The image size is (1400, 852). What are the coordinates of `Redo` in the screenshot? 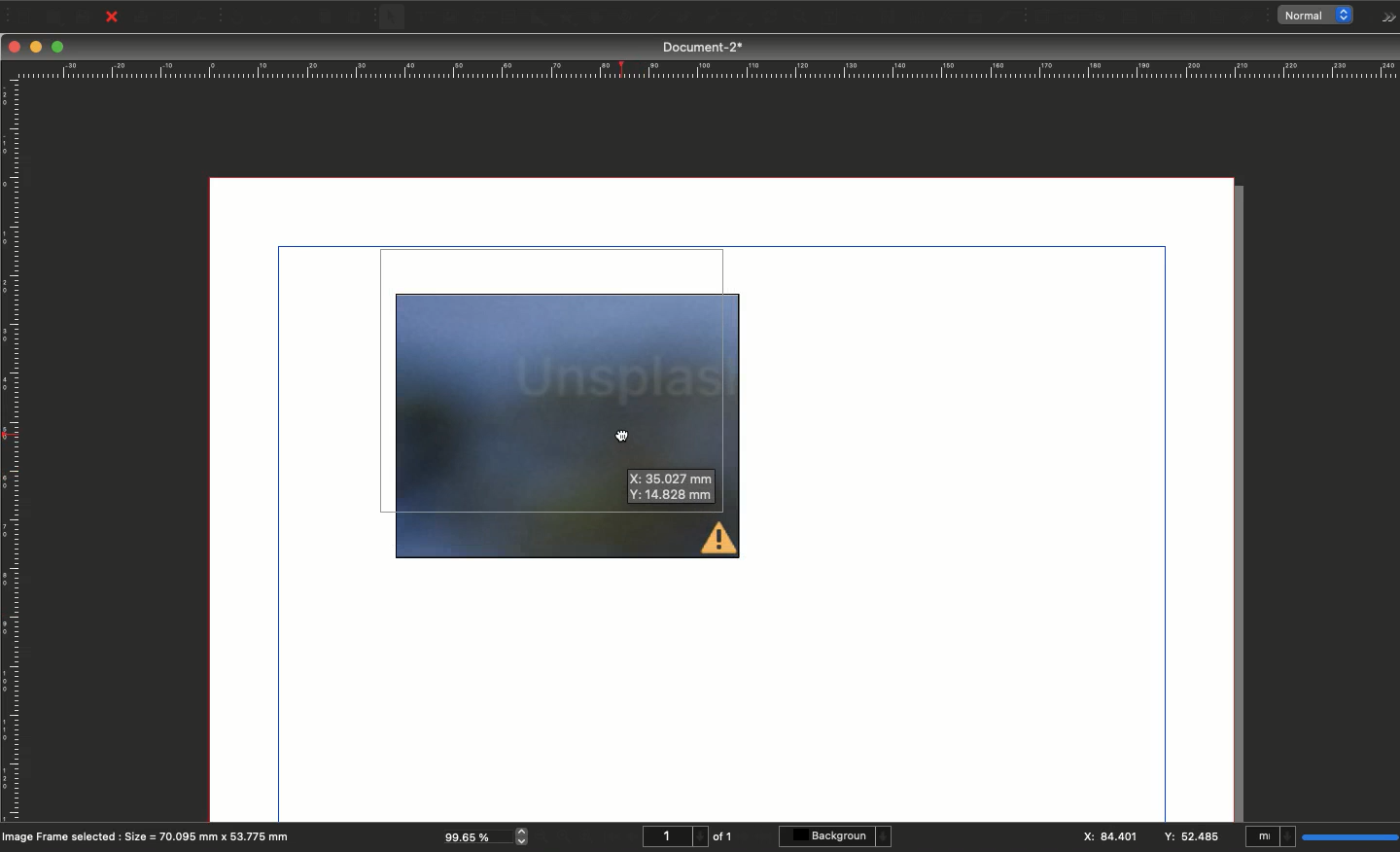 It's located at (267, 18).